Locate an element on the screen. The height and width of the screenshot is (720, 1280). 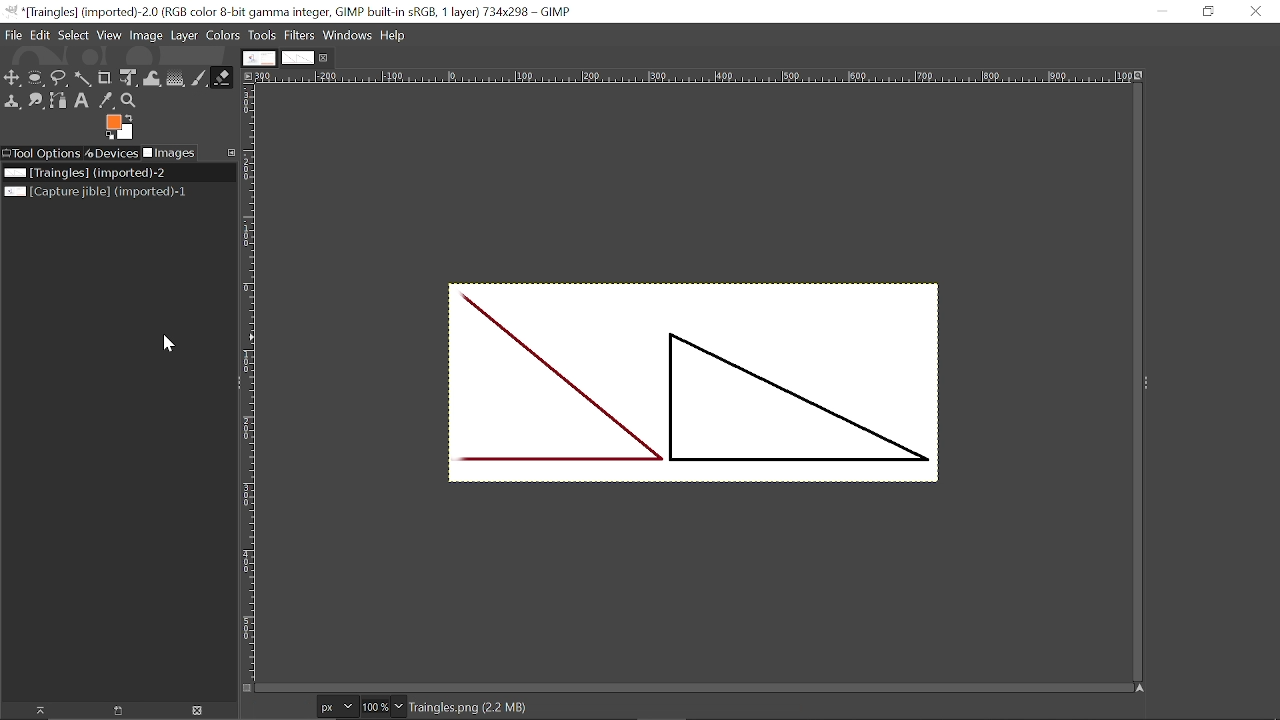
Ellipse select tool is located at coordinates (35, 78).